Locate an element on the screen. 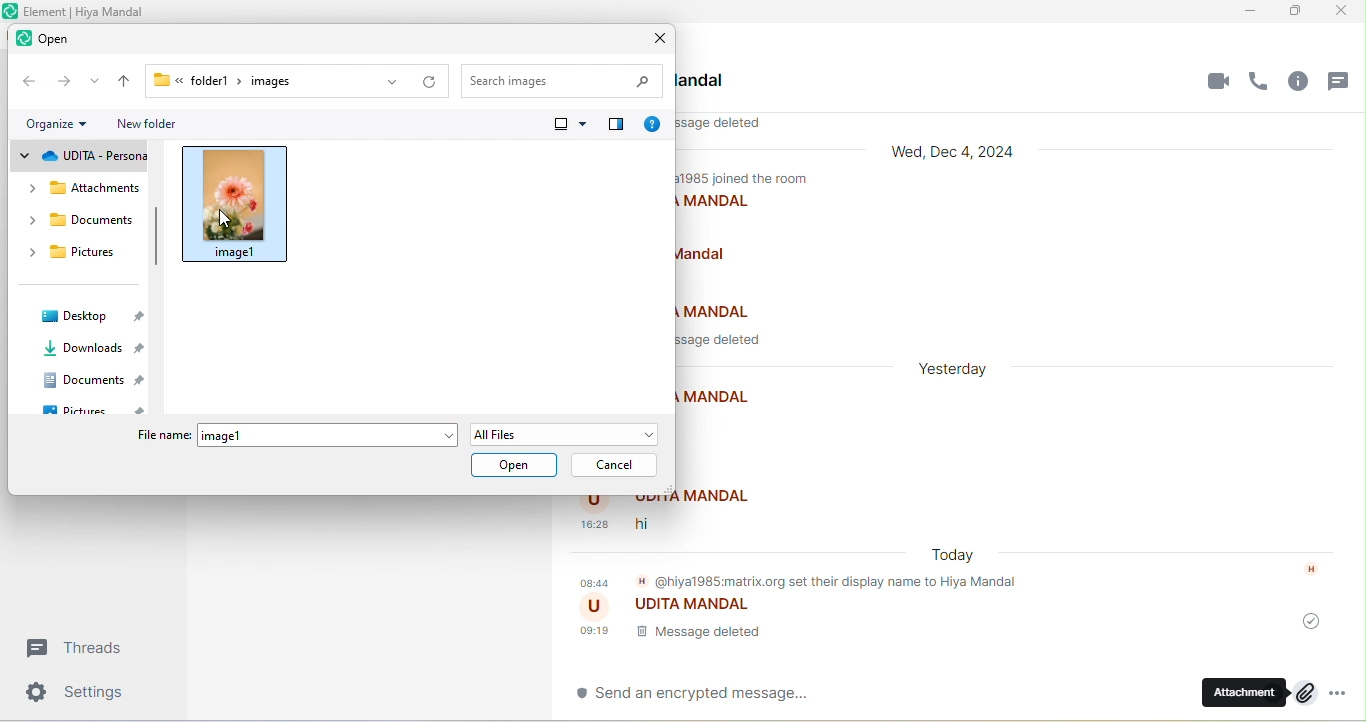 The height and width of the screenshot is (722, 1366). attachment is located at coordinates (1260, 692).